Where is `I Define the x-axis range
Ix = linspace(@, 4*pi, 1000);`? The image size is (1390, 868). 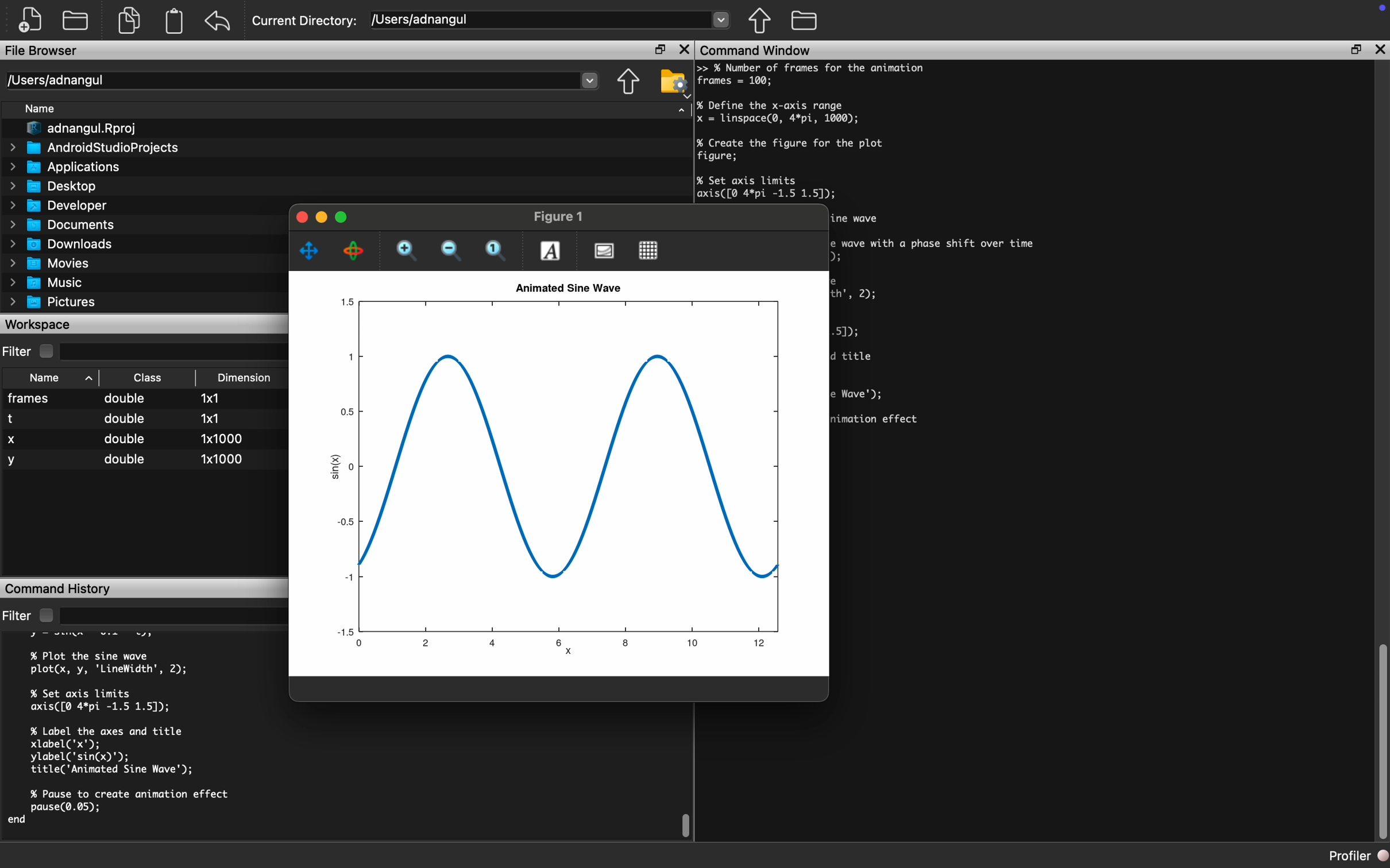 I Define the x-axis range
Ix = linspace(@, 4*pi, 1000); is located at coordinates (780, 112).